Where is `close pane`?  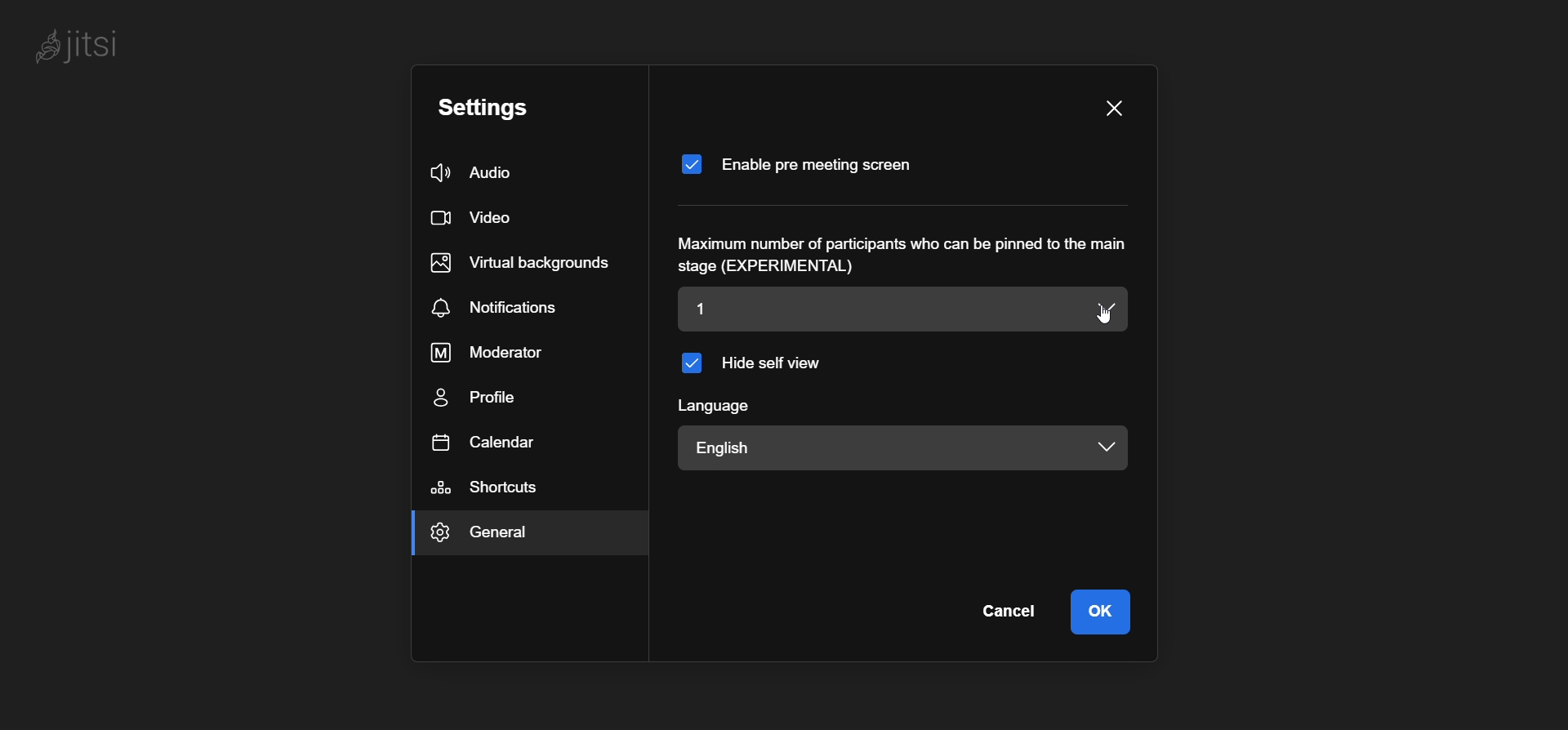
close pane is located at coordinates (1113, 110).